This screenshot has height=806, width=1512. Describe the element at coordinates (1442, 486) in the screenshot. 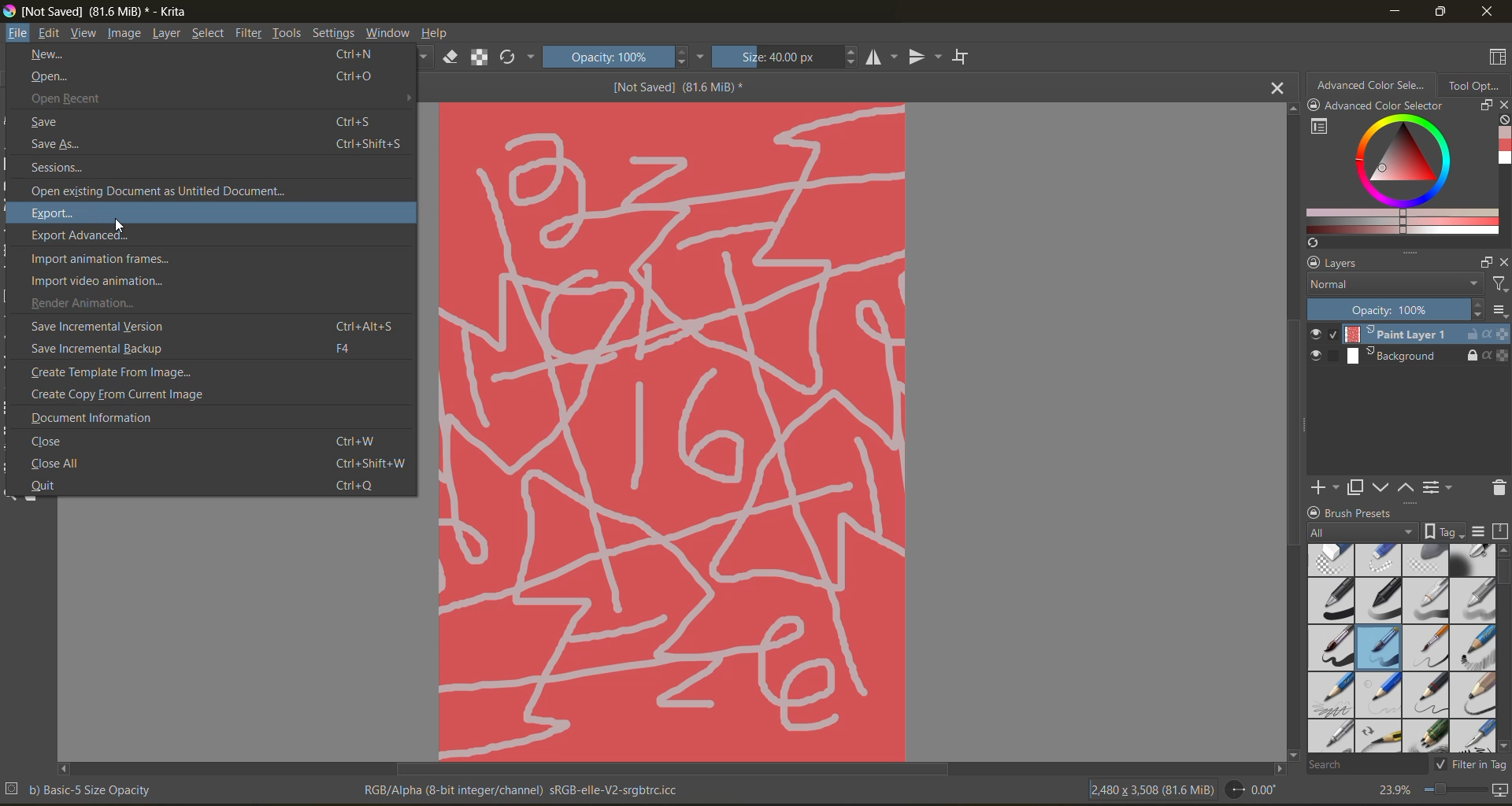

I see `view/change layer` at that location.